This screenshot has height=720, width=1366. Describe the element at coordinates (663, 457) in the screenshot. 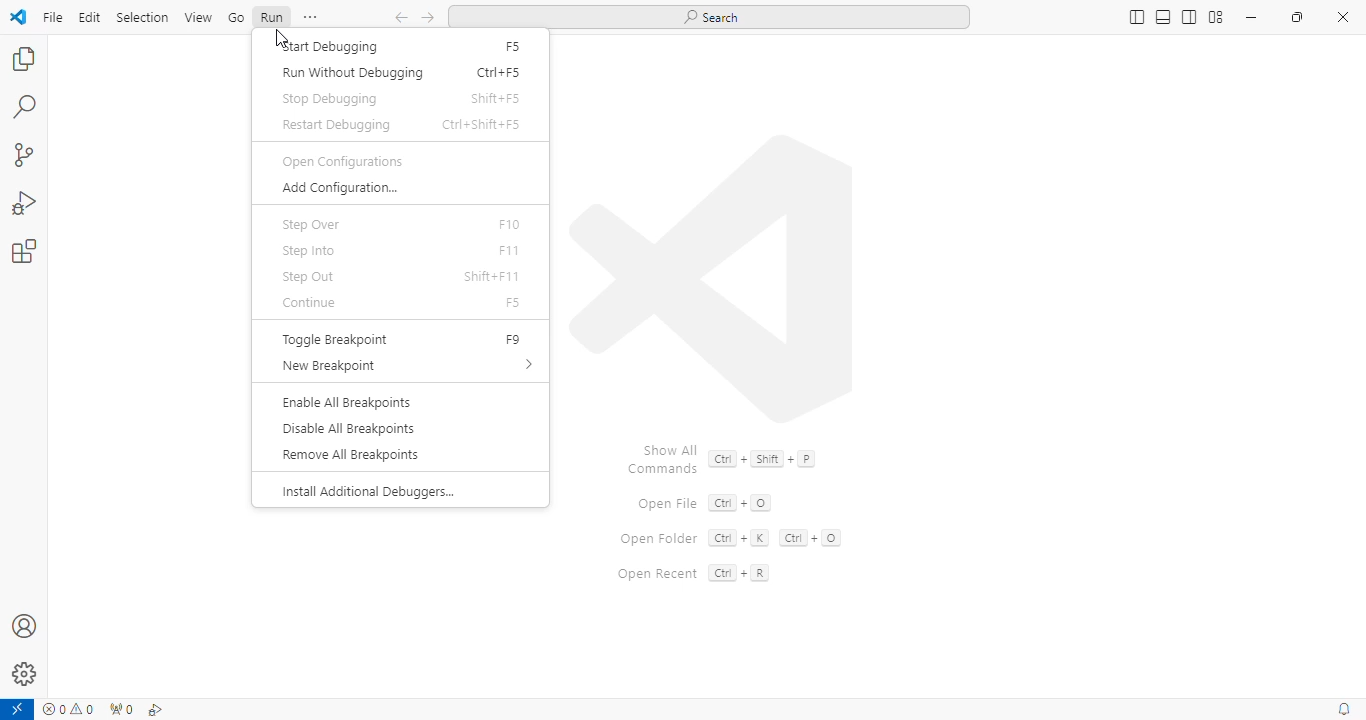

I see `show all commands` at that location.